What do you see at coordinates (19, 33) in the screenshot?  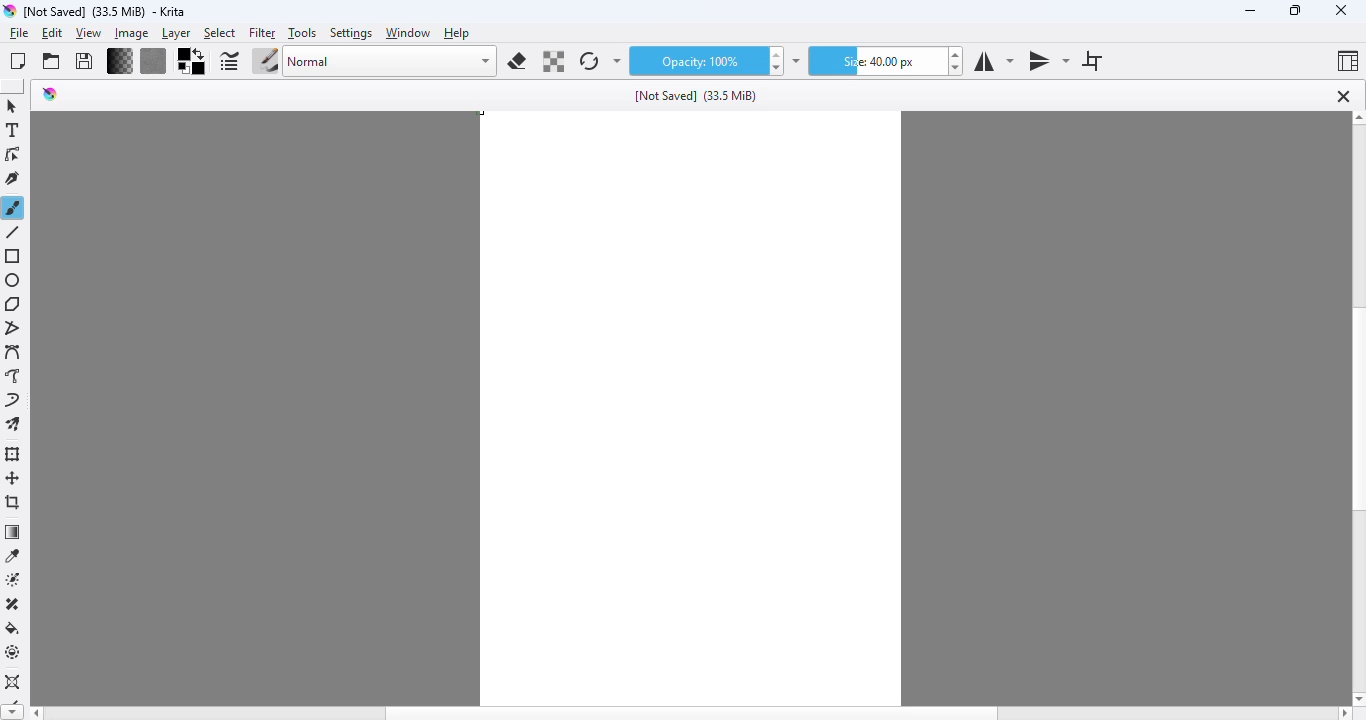 I see `file` at bounding box center [19, 33].